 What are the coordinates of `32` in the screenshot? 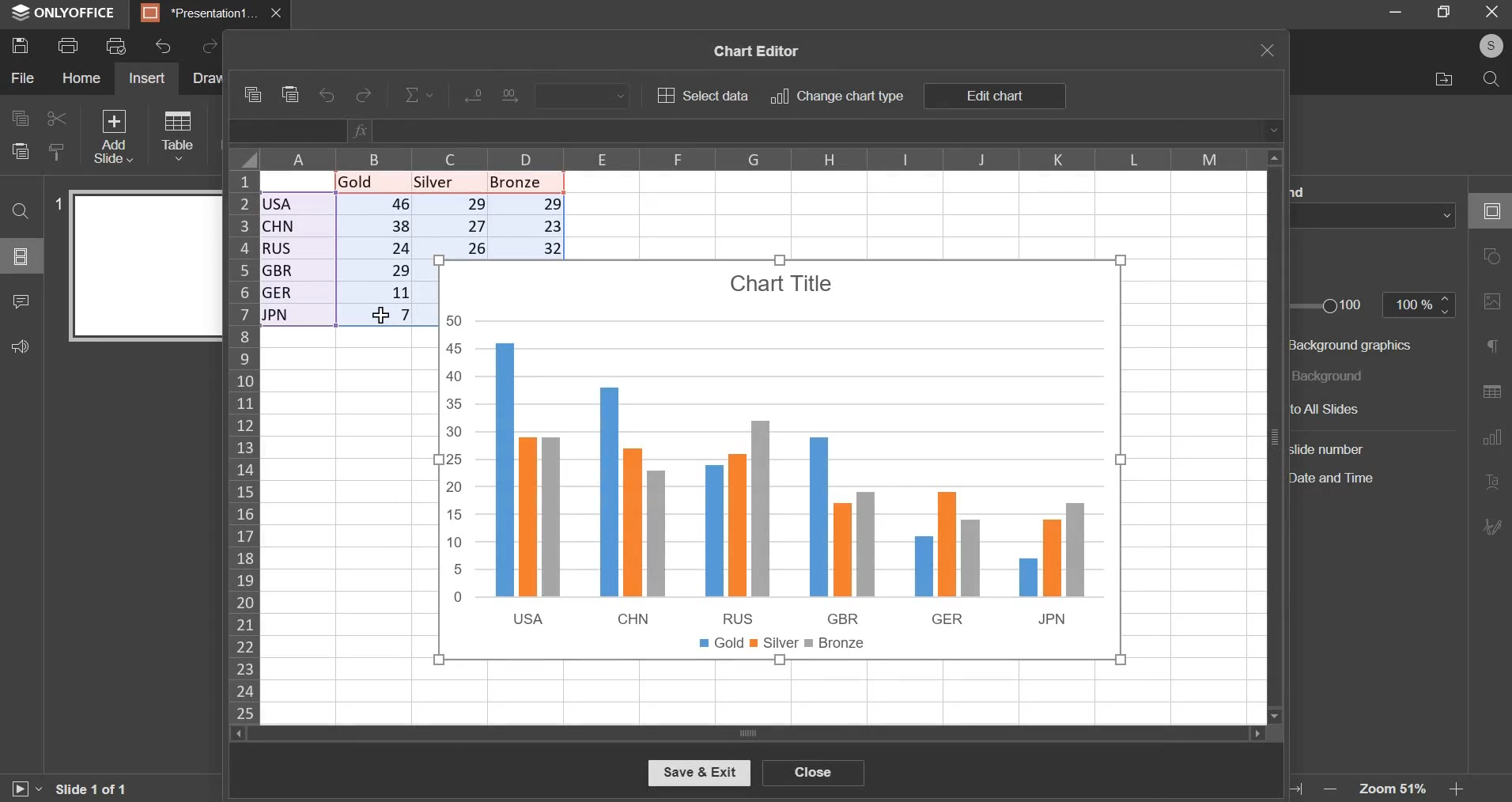 It's located at (530, 247).